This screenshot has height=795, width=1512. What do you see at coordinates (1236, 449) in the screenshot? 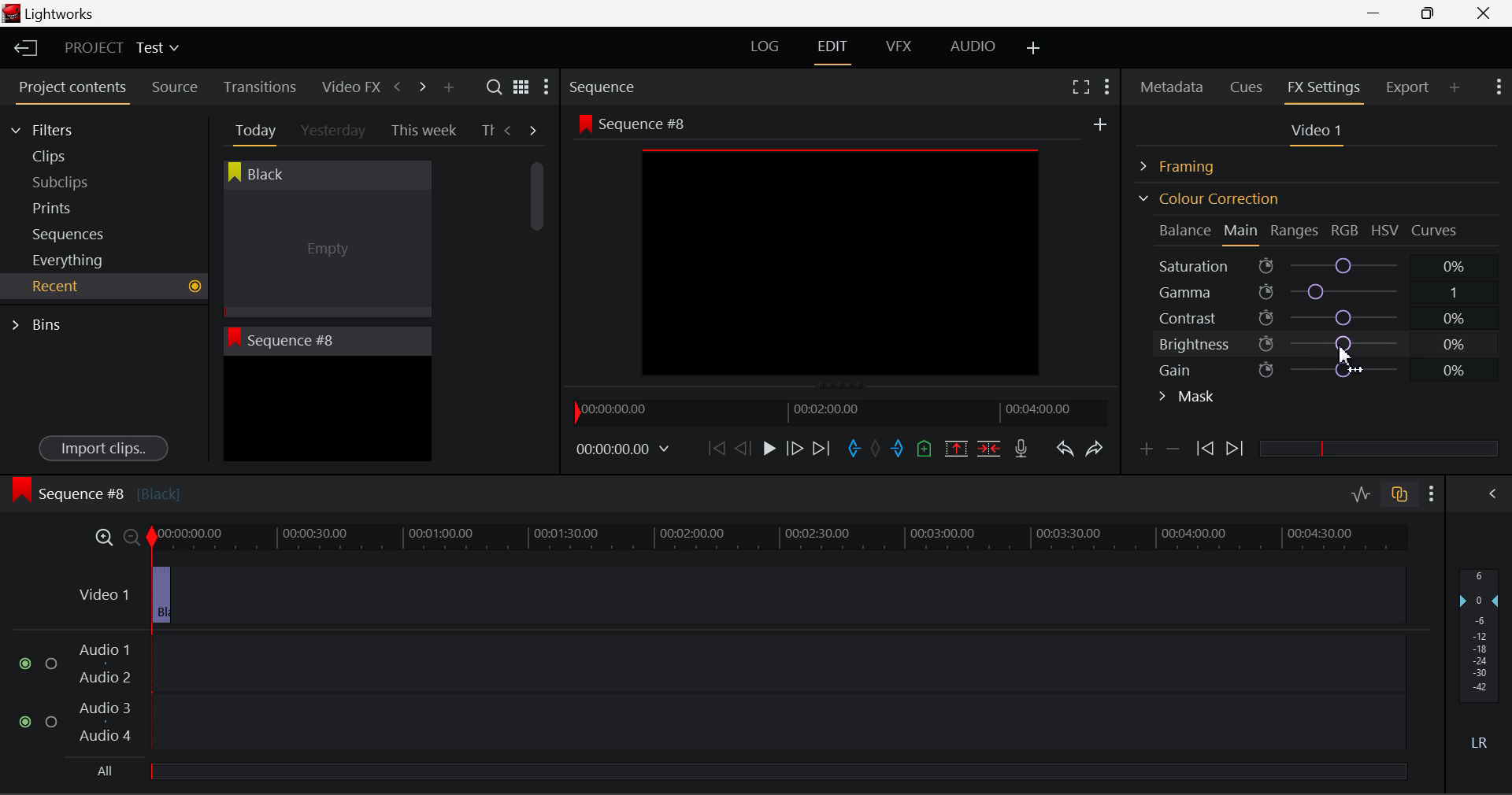
I see `Next keyframe` at bounding box center [1236, 449].